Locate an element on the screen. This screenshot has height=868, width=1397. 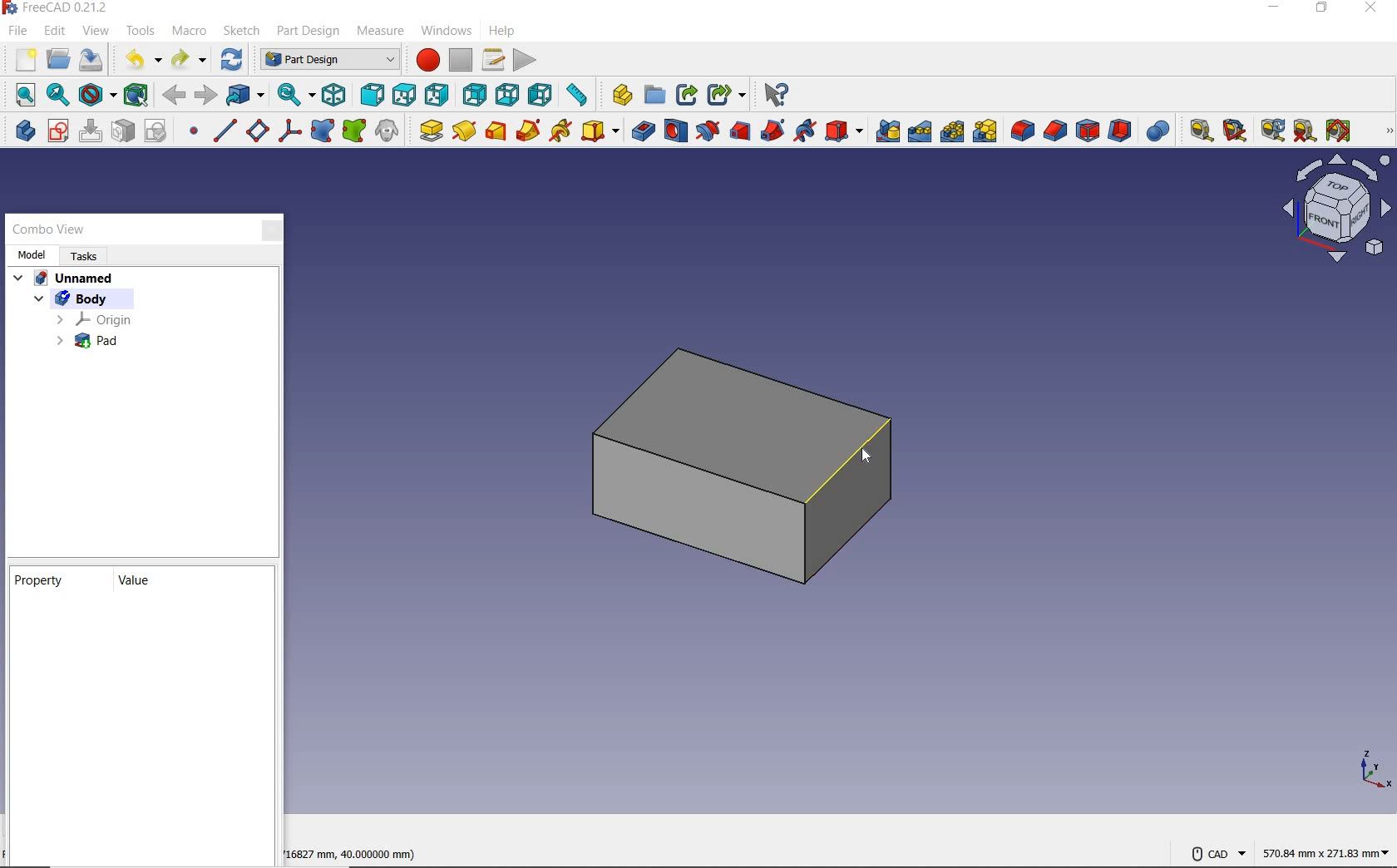
front is located at coordinates (372, 94).